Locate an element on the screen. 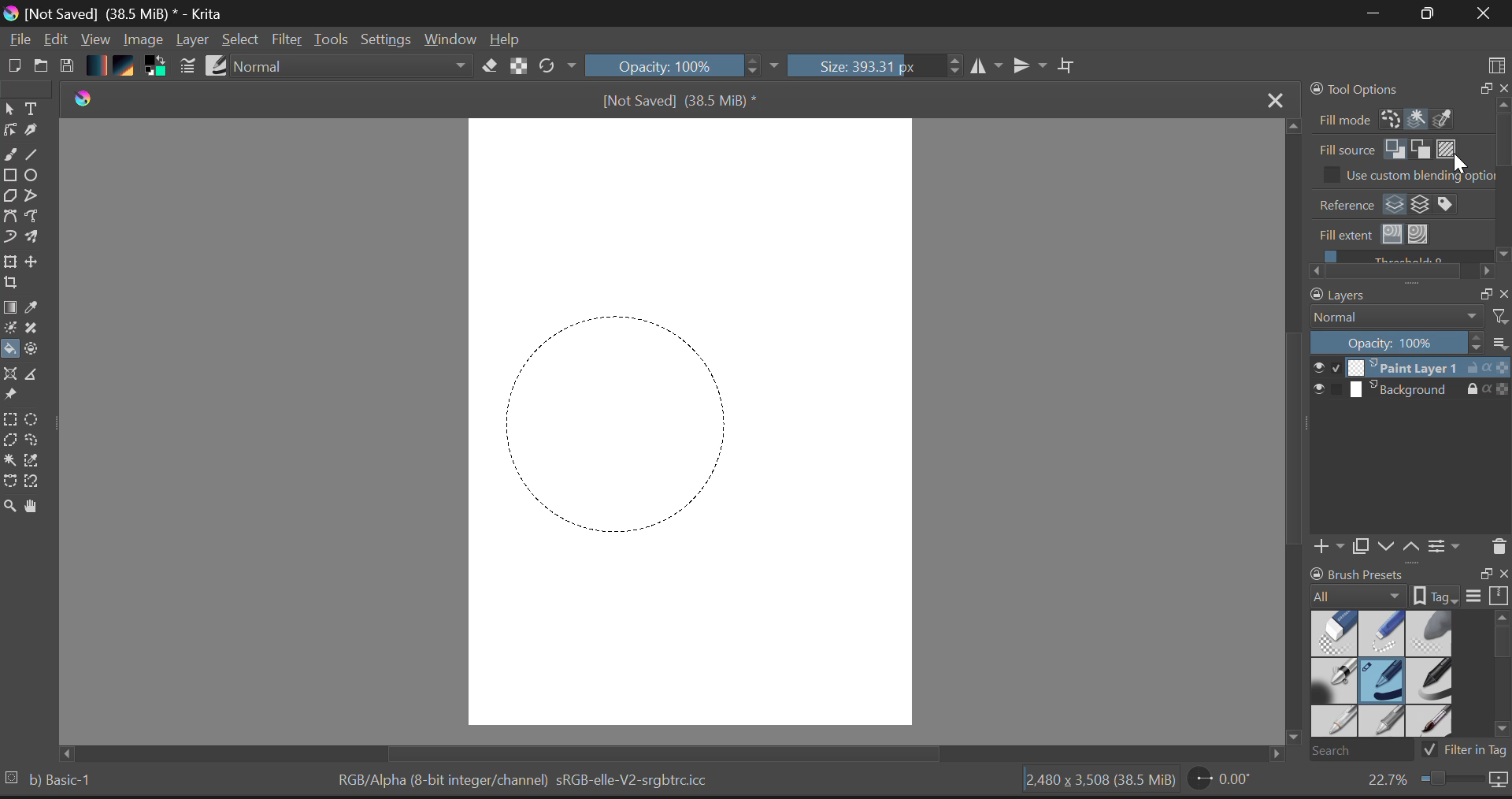 This screenshot has height=799, width=1512. Gradient is located at coordinates (98, 66).